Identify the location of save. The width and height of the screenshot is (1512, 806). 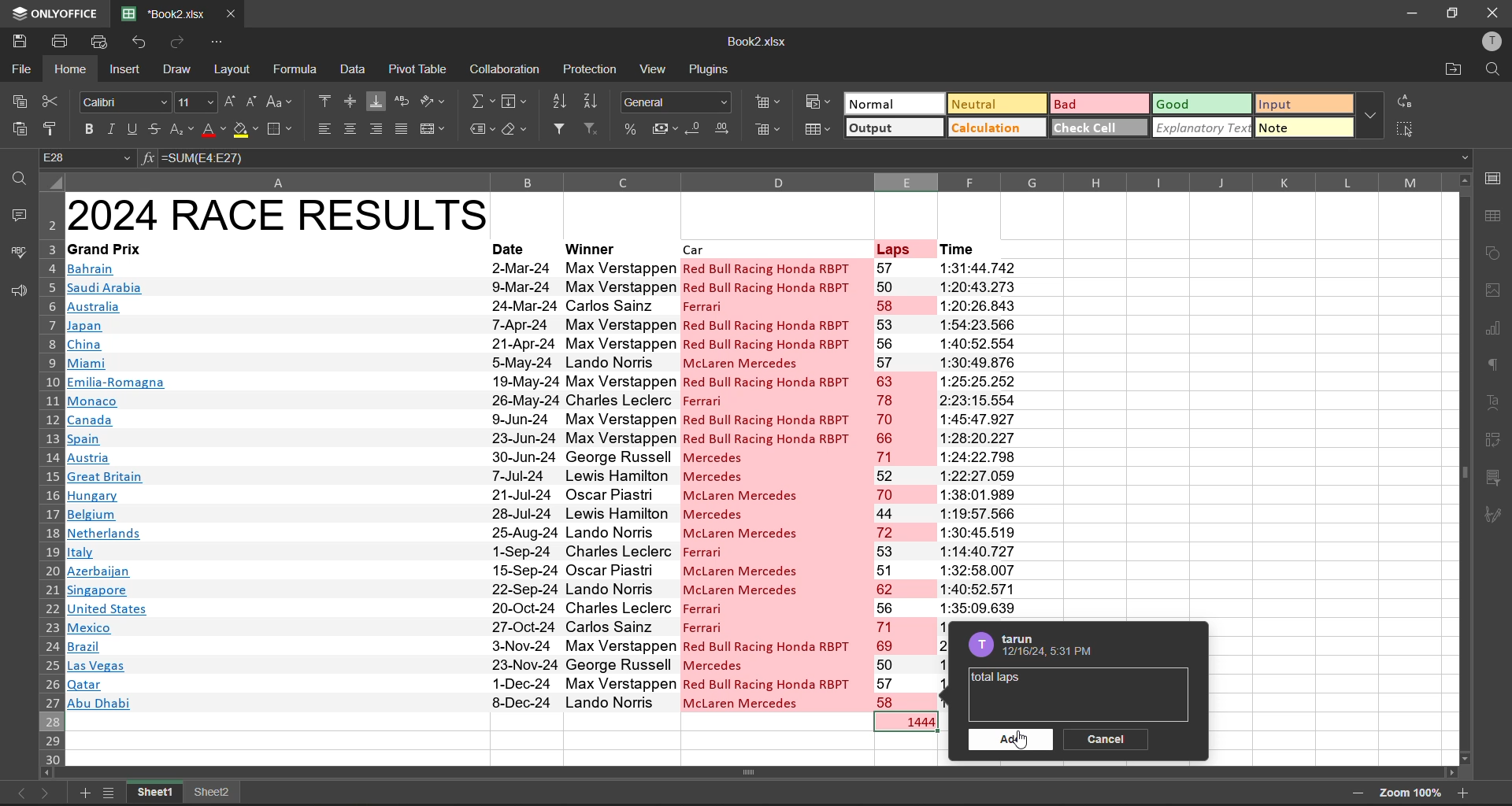
(20, 41).